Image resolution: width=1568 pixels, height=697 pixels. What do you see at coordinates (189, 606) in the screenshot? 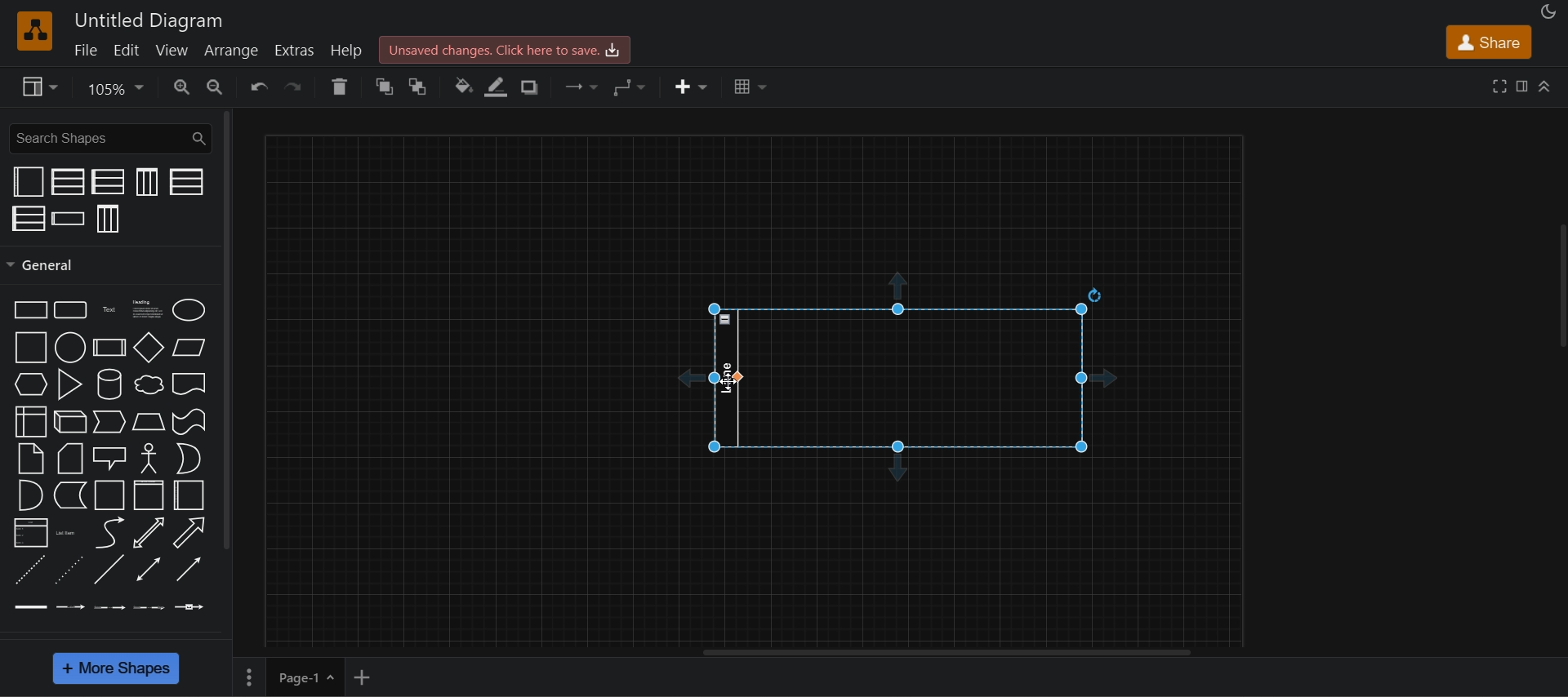
I see `connector with symbol` at bounding box center [189, 606].